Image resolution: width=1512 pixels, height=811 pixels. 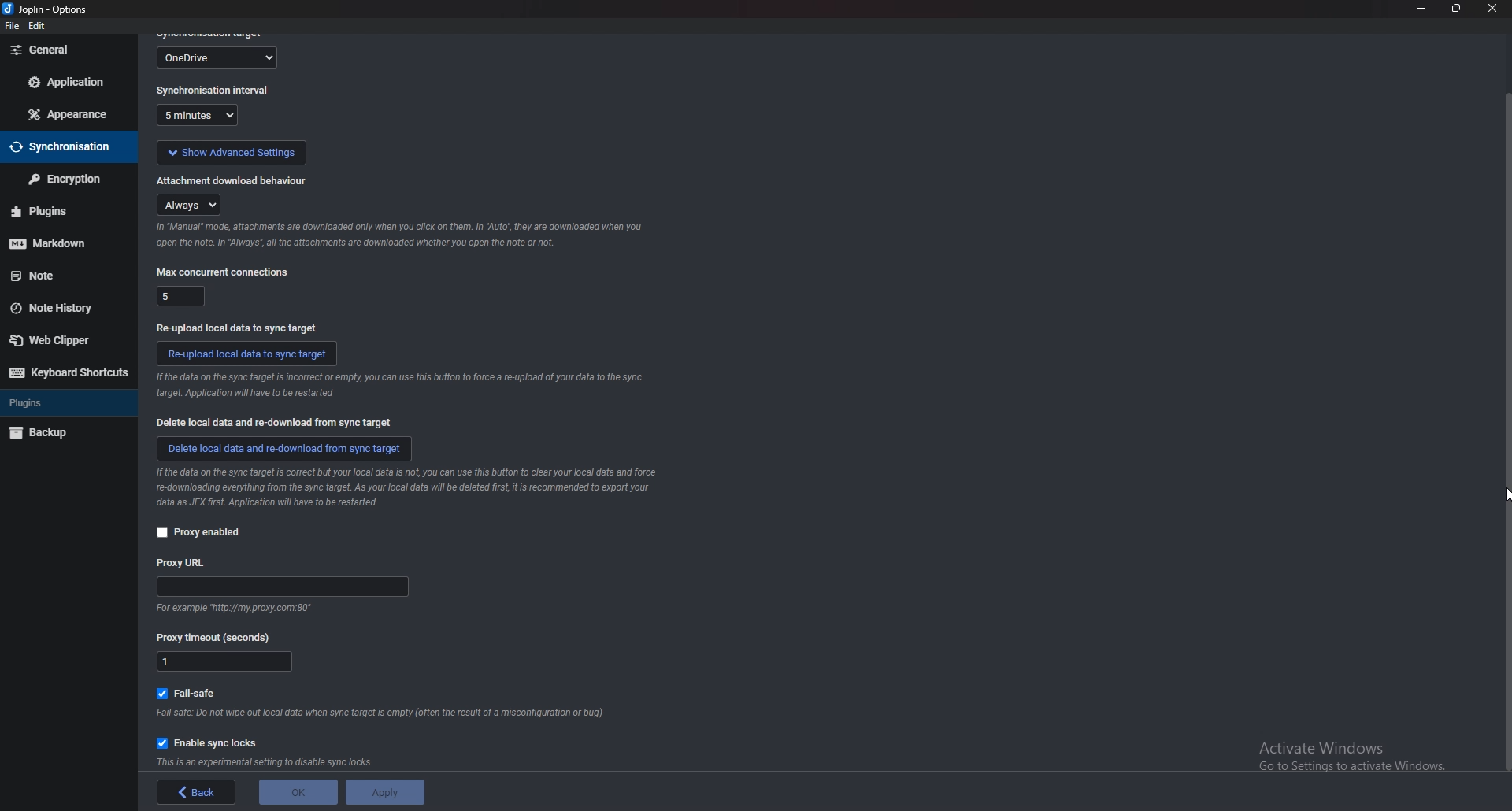 What do you see at coordinates (1506, 433) in the screenshot?
I see `scroll bar` at bounding box center [1506, 433].